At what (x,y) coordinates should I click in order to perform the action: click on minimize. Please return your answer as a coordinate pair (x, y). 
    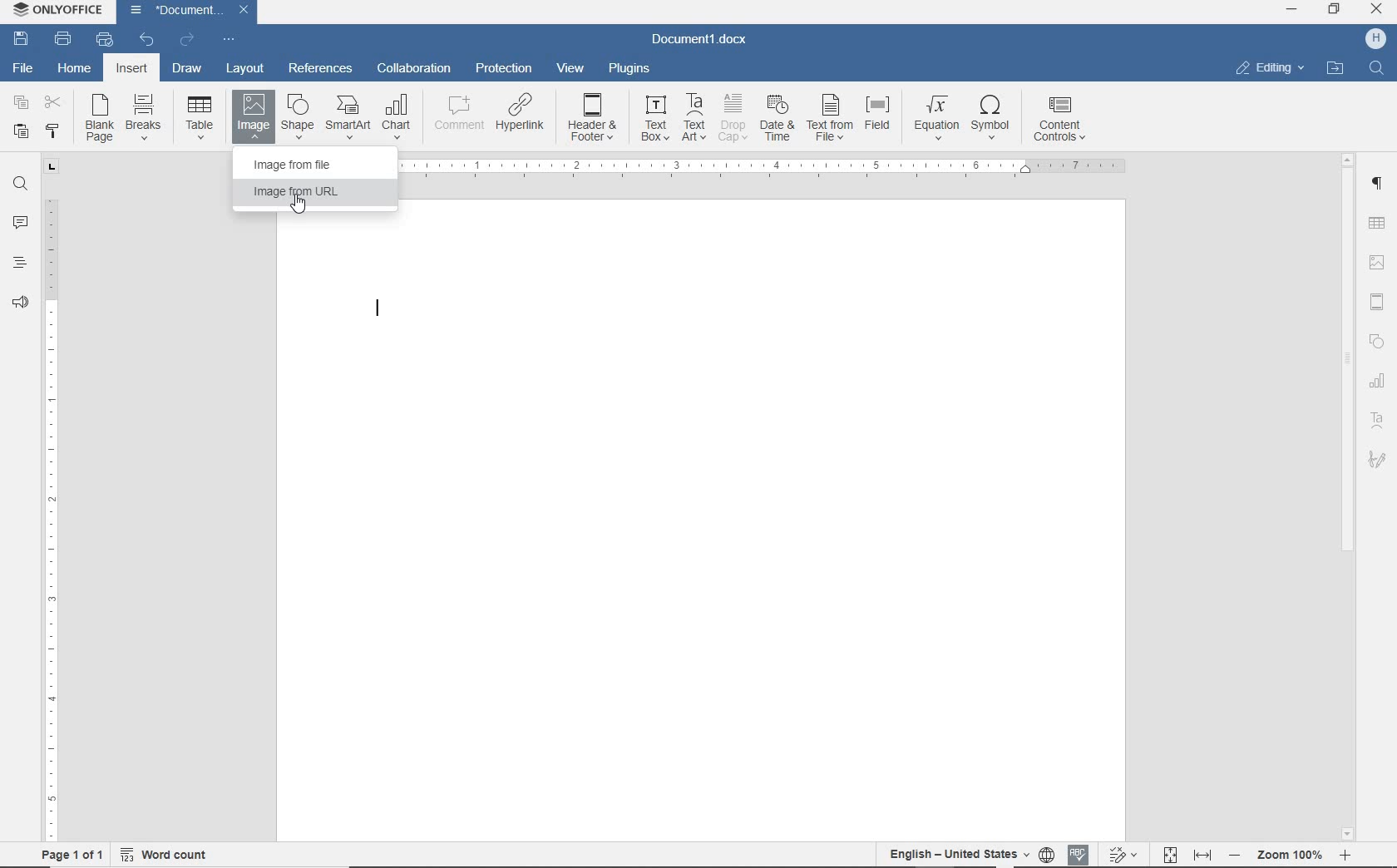
    Looking at the image, I should click on (1291, 8).